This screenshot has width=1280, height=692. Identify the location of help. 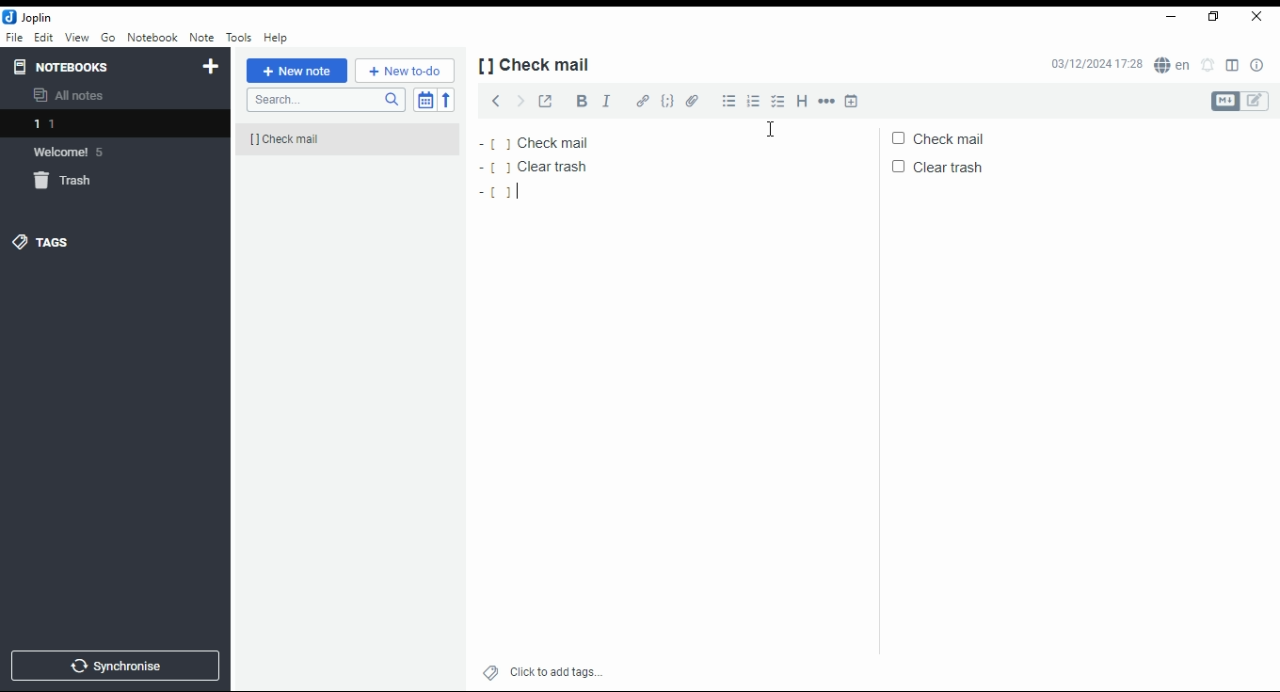
(276, 38).